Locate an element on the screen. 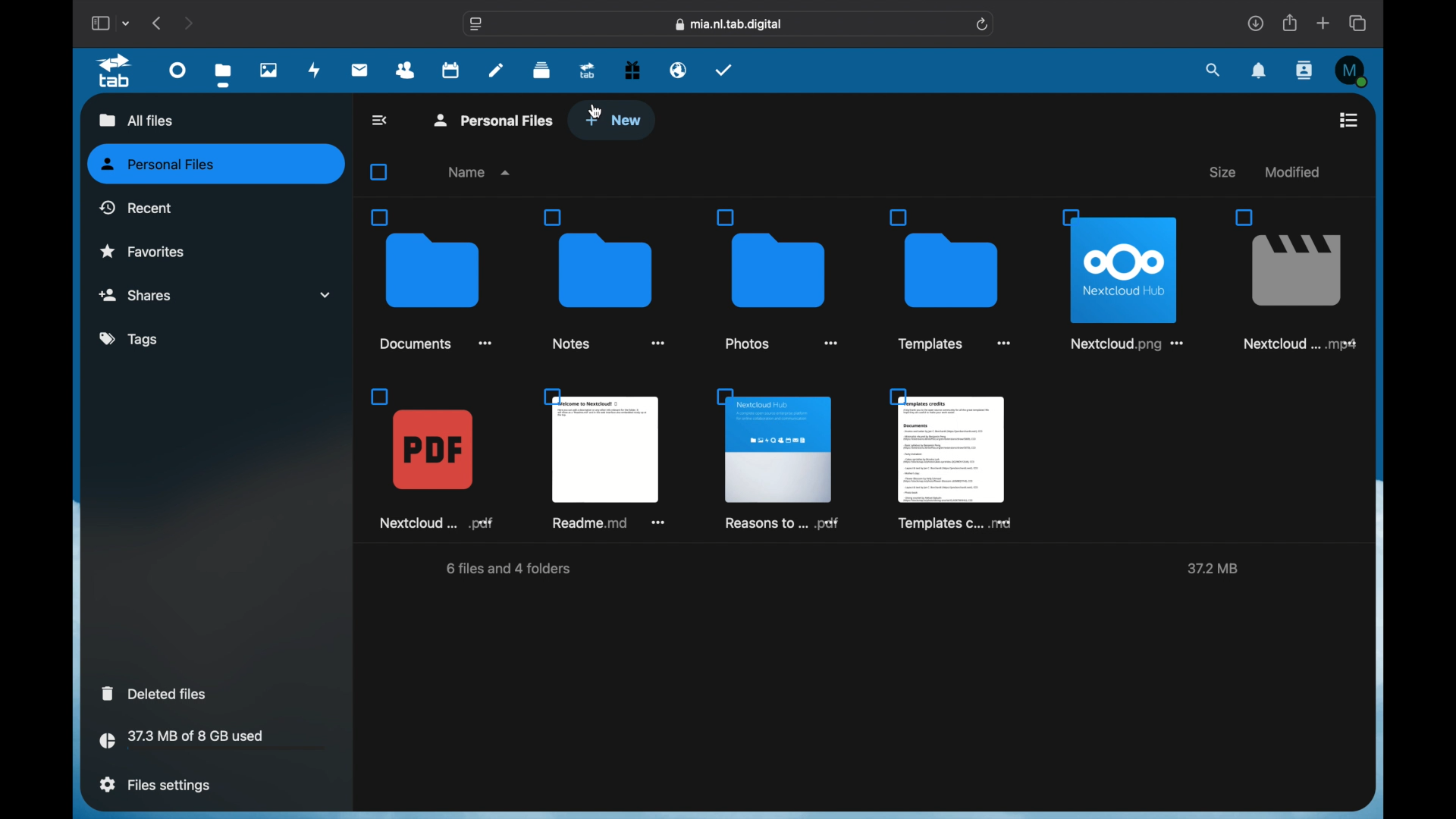 The width and height of the screenshot is (1456, 819). free trial is located at coordinates (632, 71).